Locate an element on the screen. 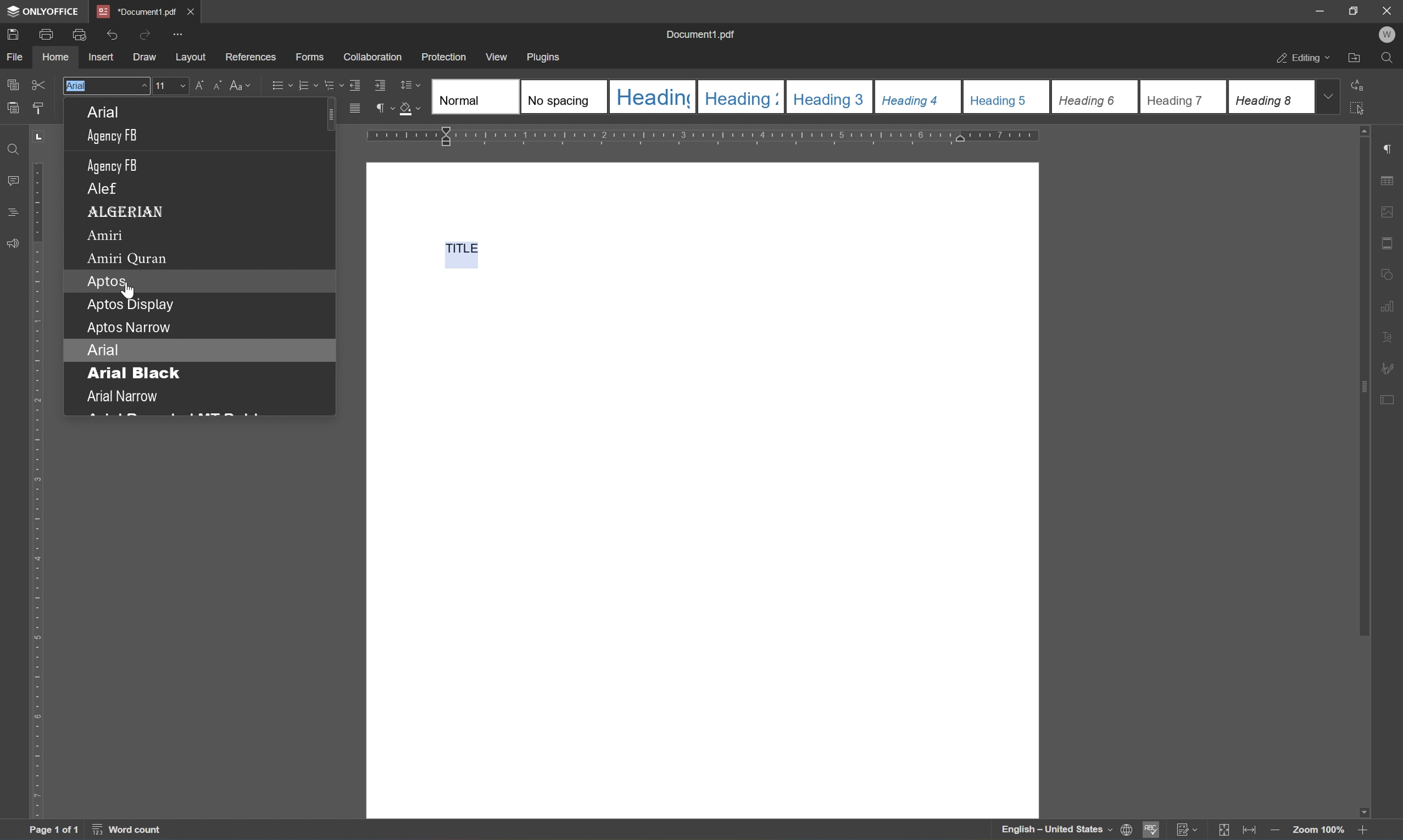  table settings is located at coordinates (1391, 180).